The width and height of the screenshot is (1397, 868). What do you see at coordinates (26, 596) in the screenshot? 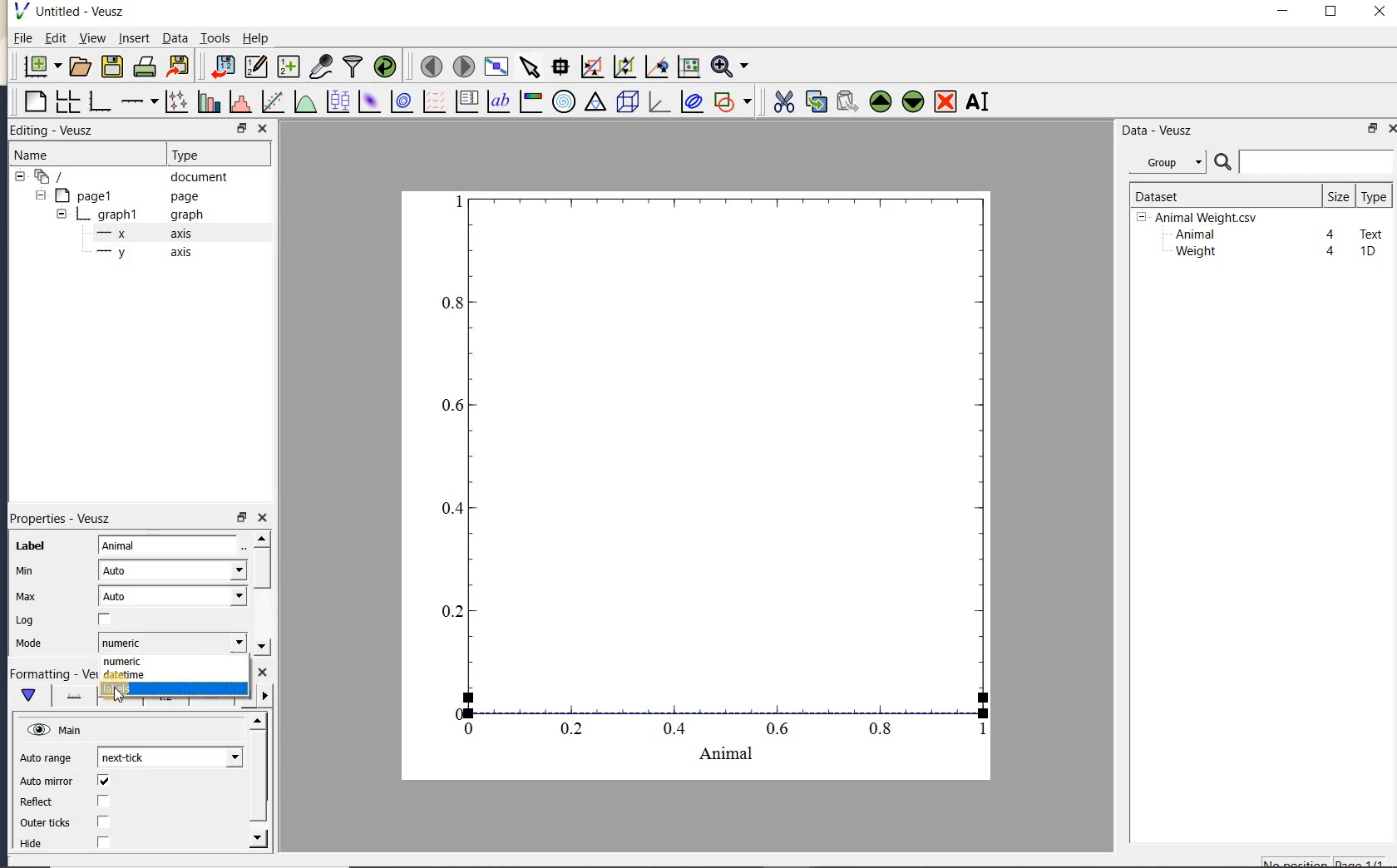
I see `Max` at bounding box center [26, 596].